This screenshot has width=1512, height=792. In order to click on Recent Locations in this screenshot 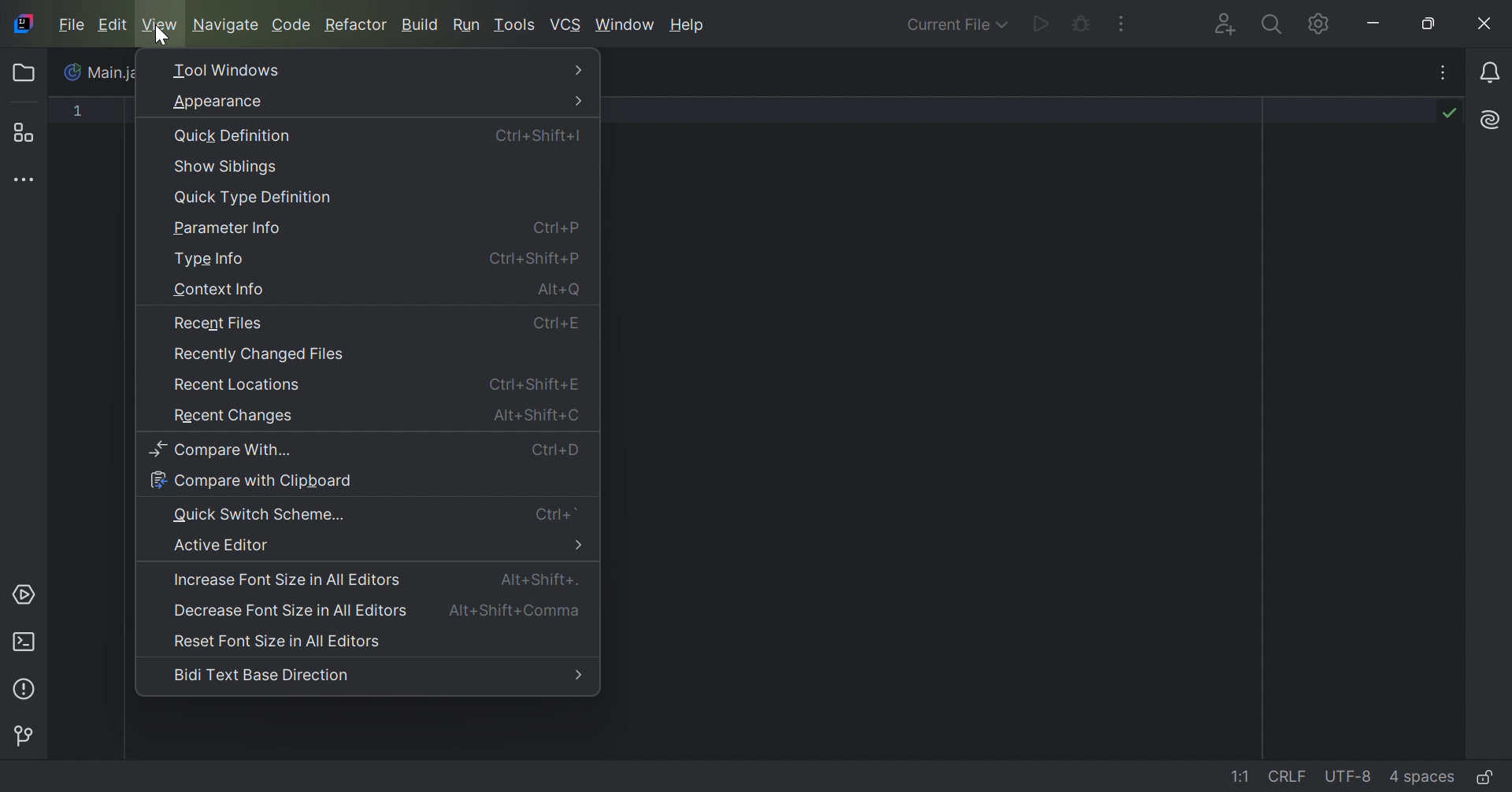, I will do `click(239, 384)`.